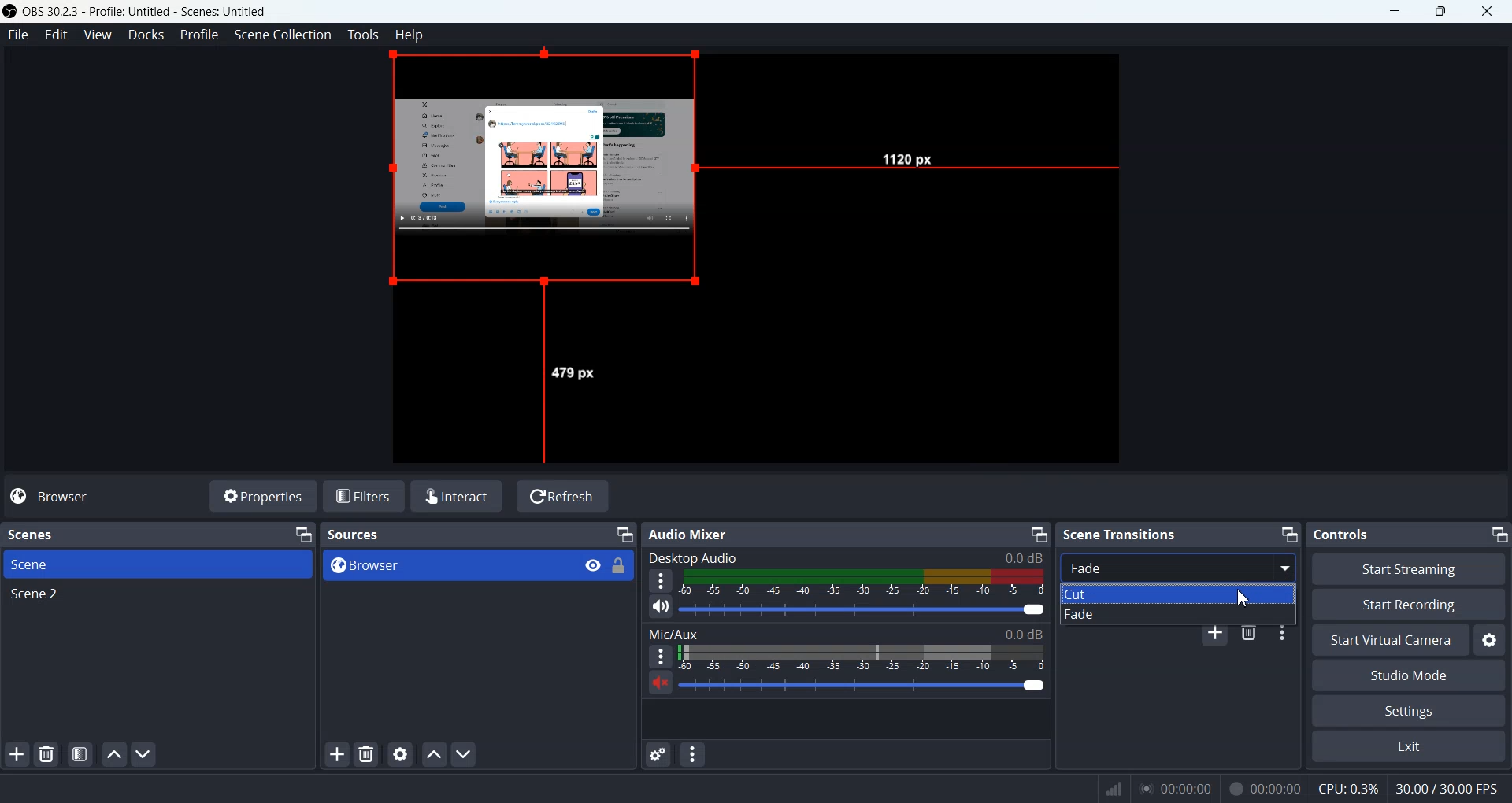  Describe the element at coordinates (592, 564) in the screenshot. I see `View` at that location.